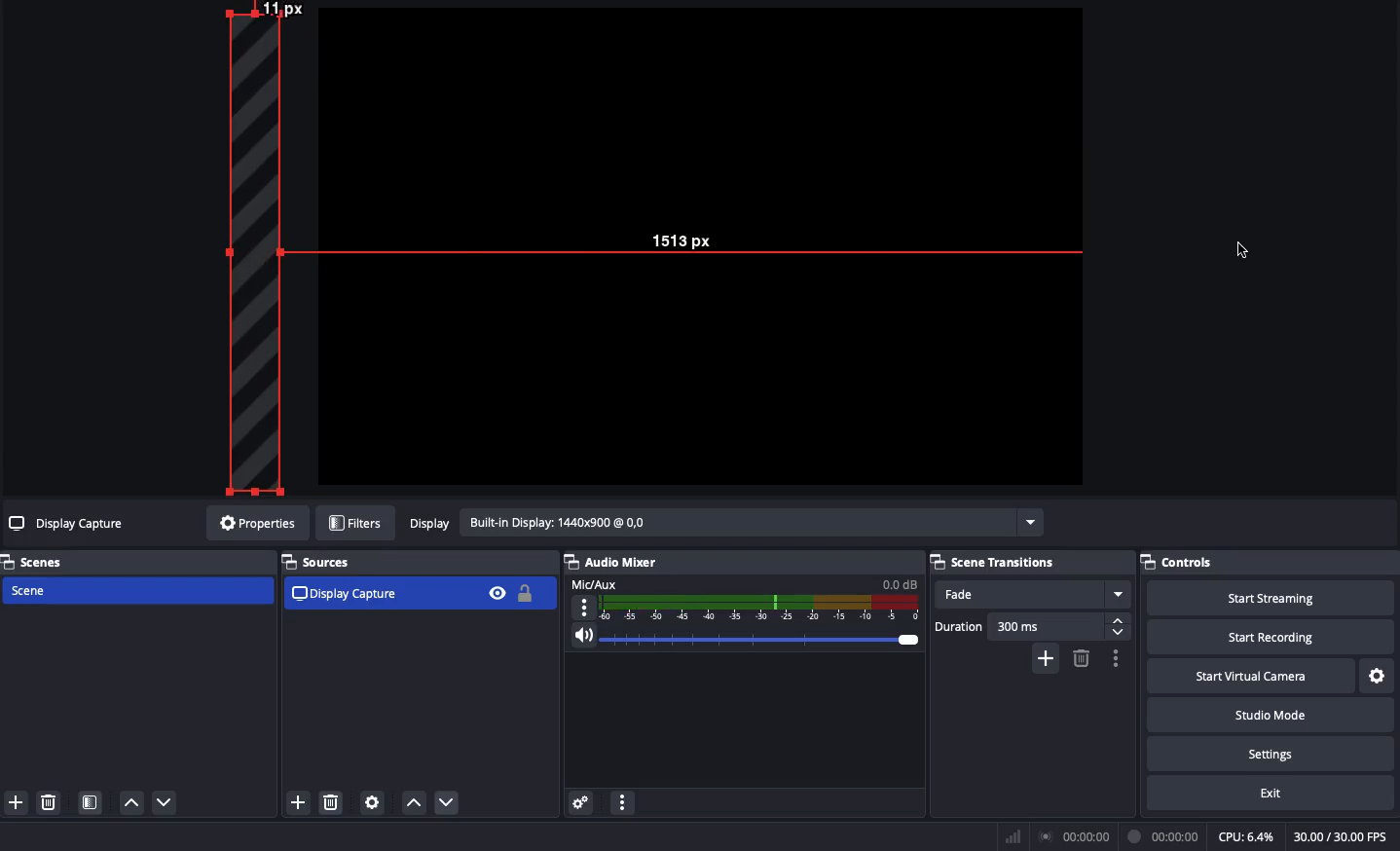 This screenshot has width=1400, height=851. I want to click on Display, so click(723, 525).